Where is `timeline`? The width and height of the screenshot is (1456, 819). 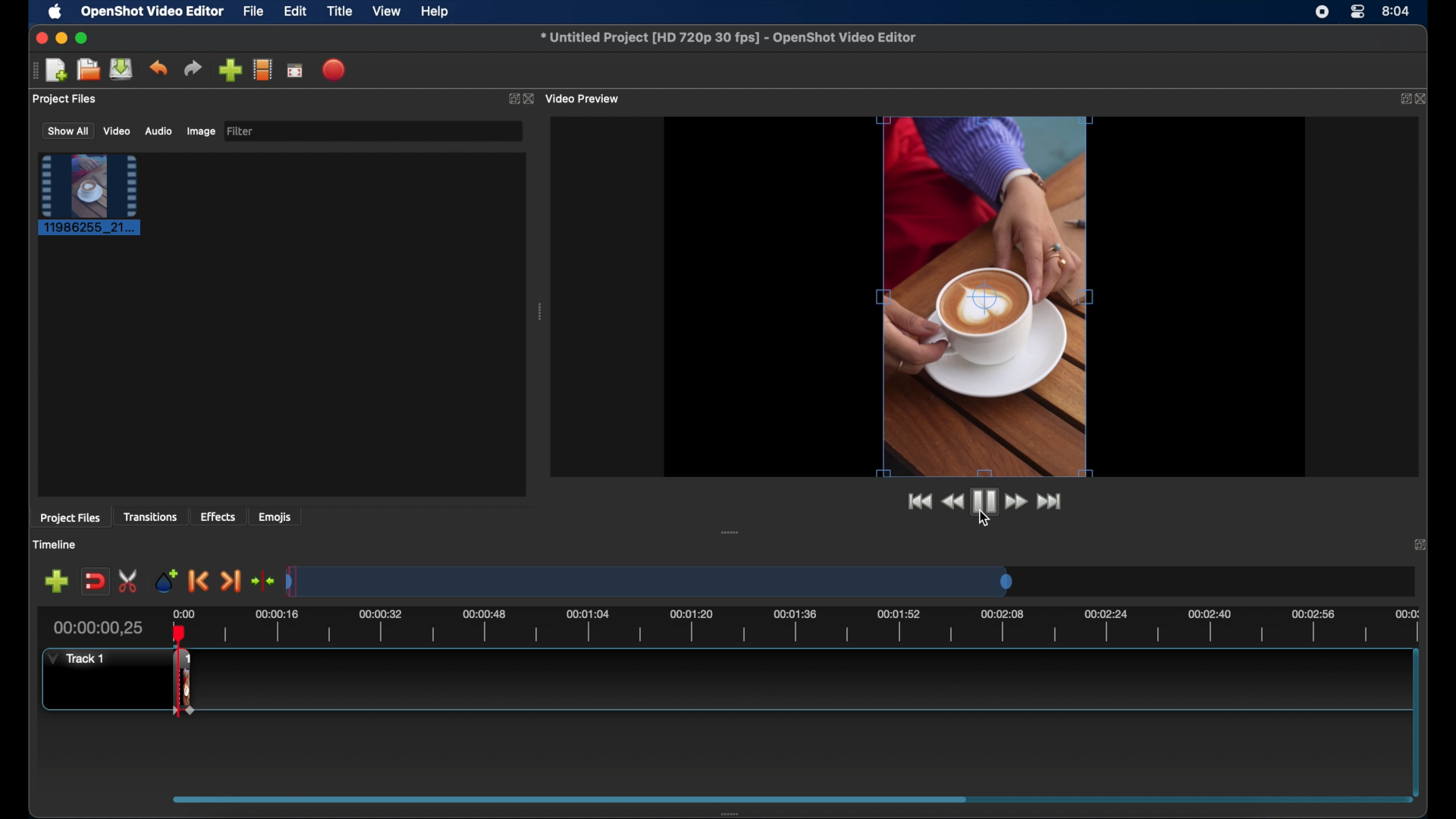 timeline is located at coordinates (56, 544).